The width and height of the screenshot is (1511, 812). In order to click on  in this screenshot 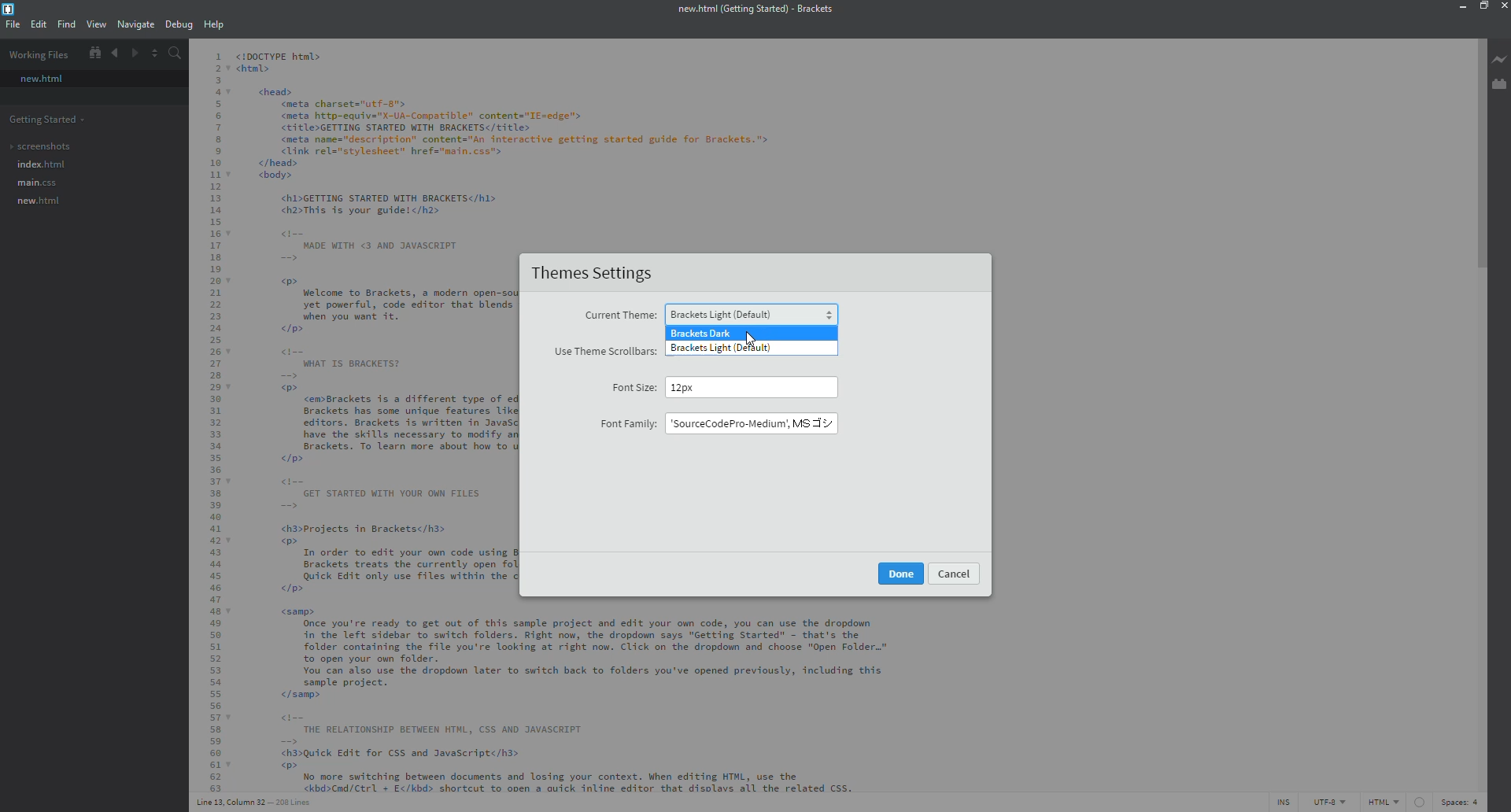, I will do `click(957, 575)`.